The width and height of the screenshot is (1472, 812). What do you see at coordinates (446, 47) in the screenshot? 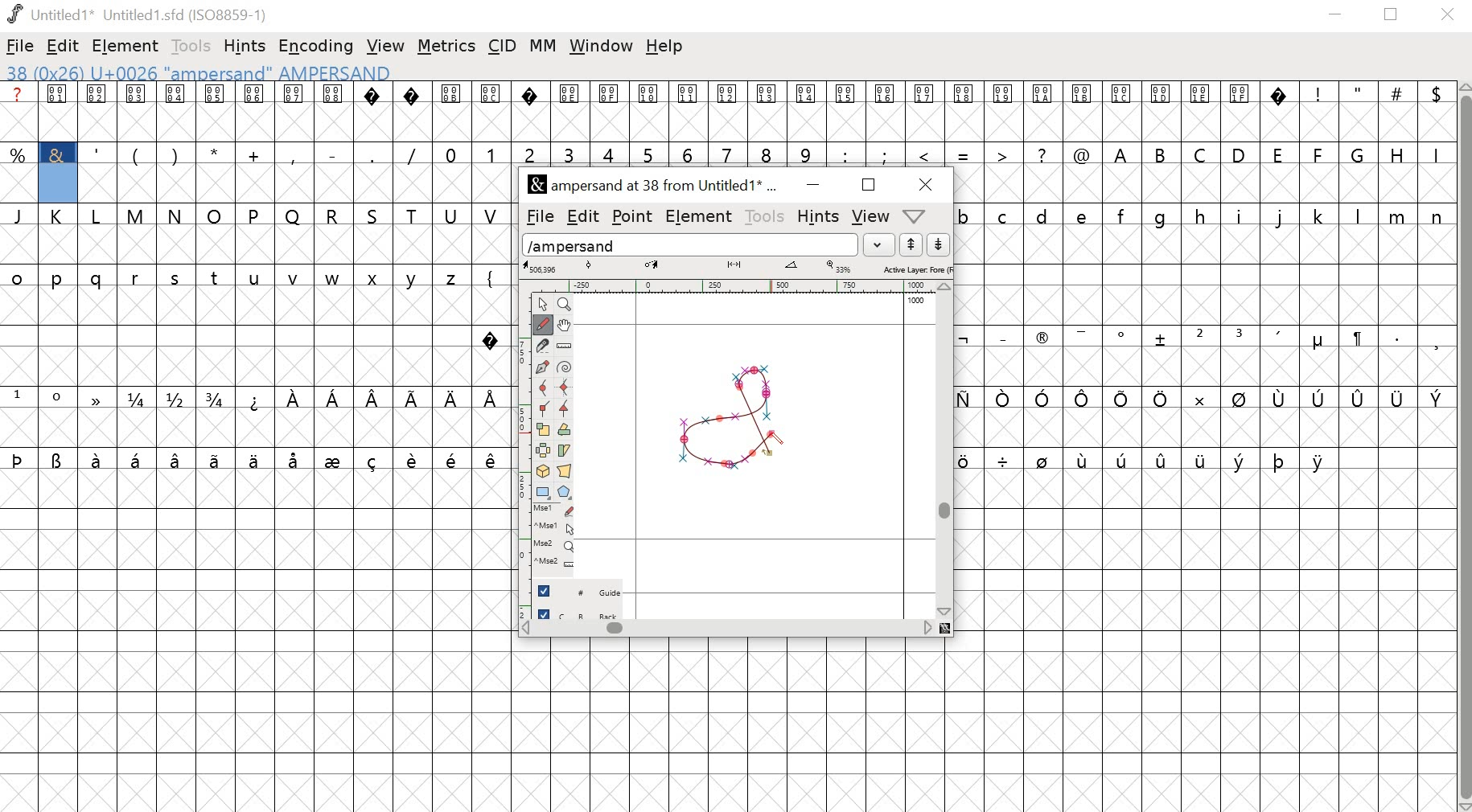
I see `metrics` at bounding box center [446, 47].